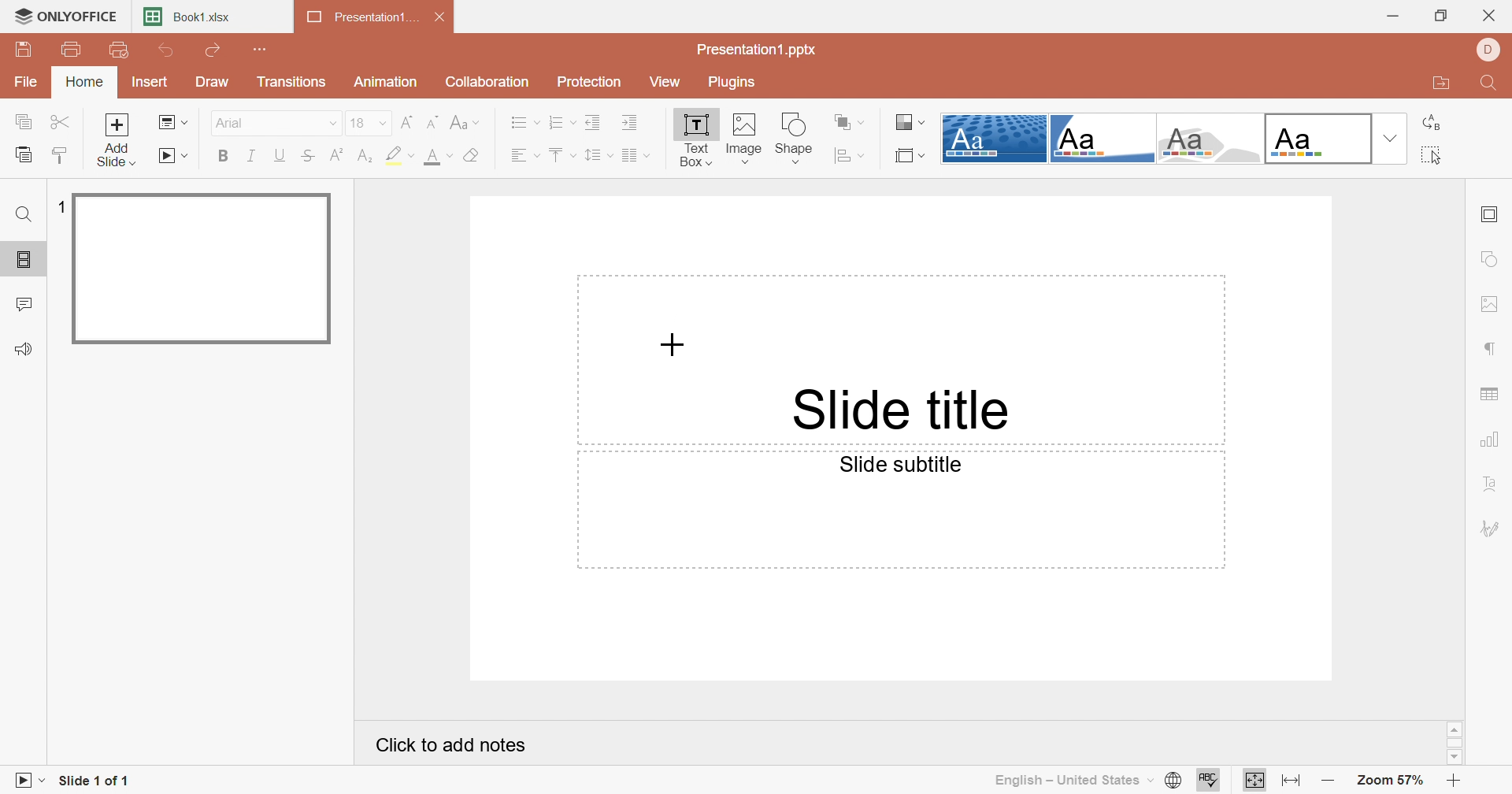 This screenshot has width=1512, height=794. I want to click on Copy style, so click(60, 156).